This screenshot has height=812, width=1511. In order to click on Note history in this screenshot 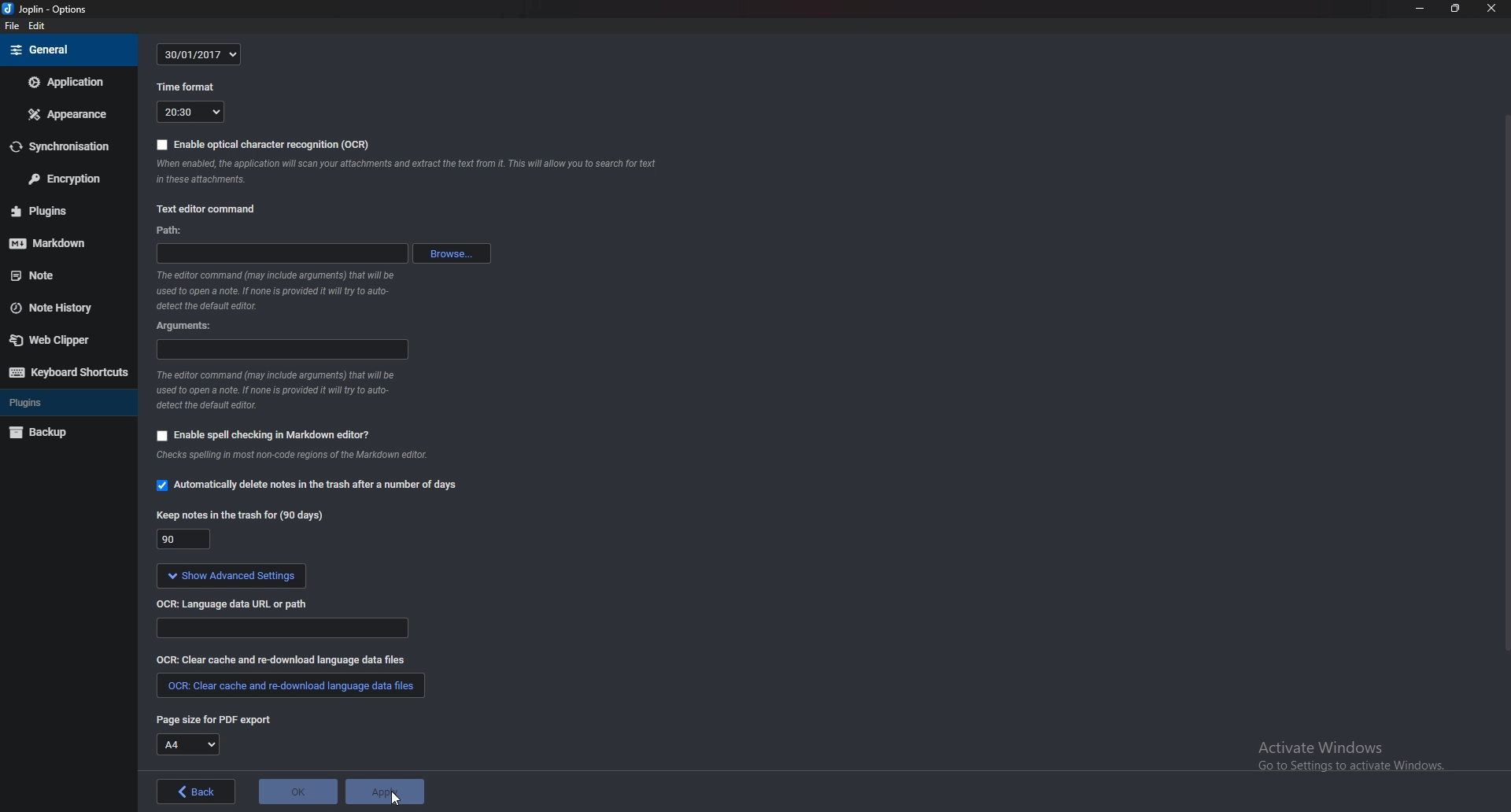, I will do `click(62, 306)`.